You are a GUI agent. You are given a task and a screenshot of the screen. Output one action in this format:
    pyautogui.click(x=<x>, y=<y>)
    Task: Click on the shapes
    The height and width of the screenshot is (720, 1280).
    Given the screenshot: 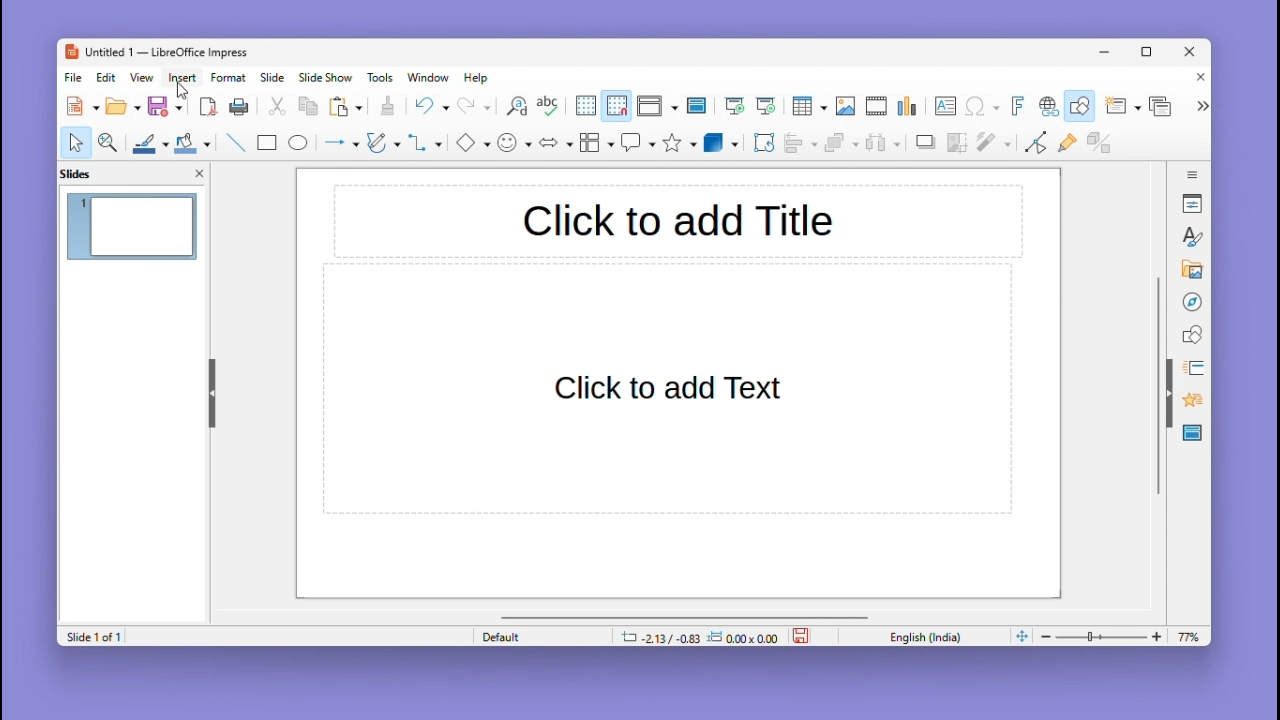 What is the action you would take?
    pyautogui.click(x=1192, y=333)
    